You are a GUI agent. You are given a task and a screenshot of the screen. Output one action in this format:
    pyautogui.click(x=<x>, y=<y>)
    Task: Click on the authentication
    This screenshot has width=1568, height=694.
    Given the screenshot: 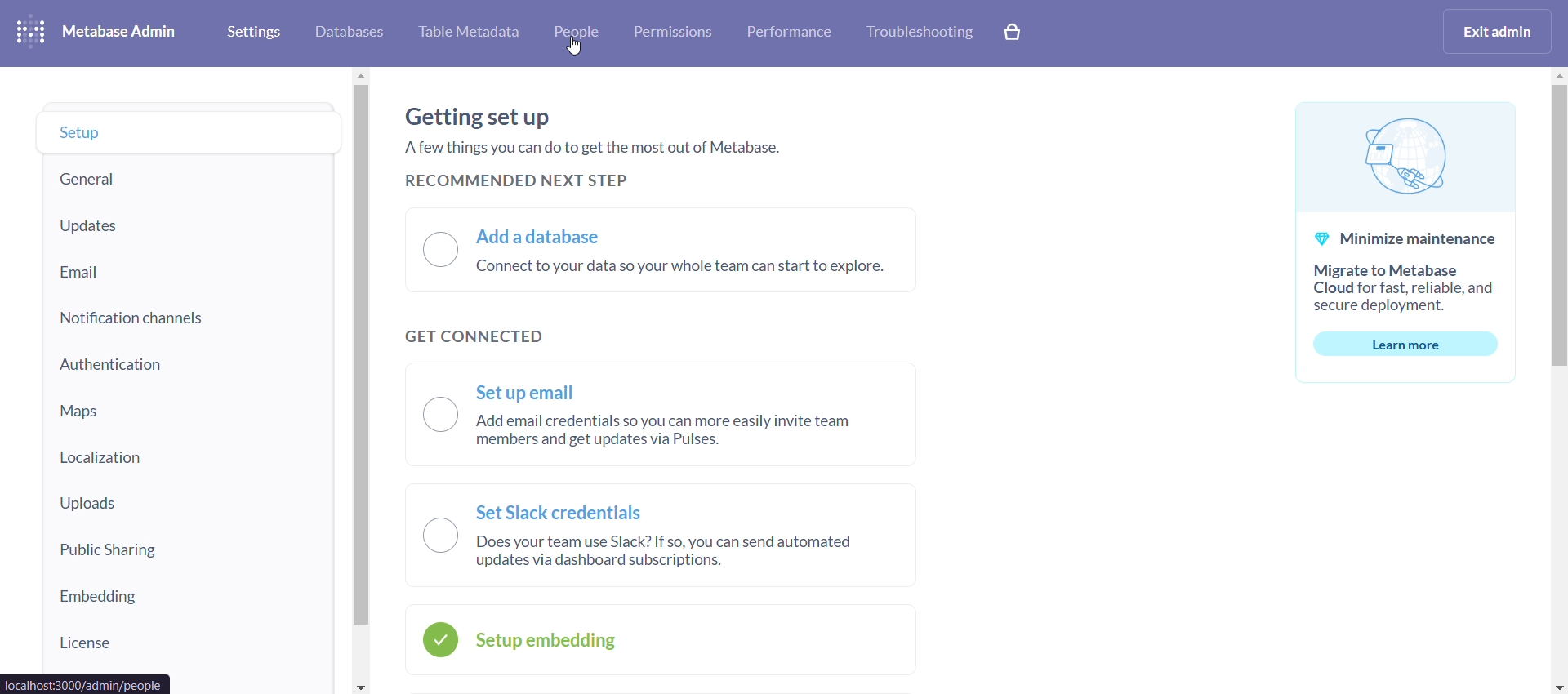 What is the action you would take?
    pyautogui.click(x=186, y=364)
    